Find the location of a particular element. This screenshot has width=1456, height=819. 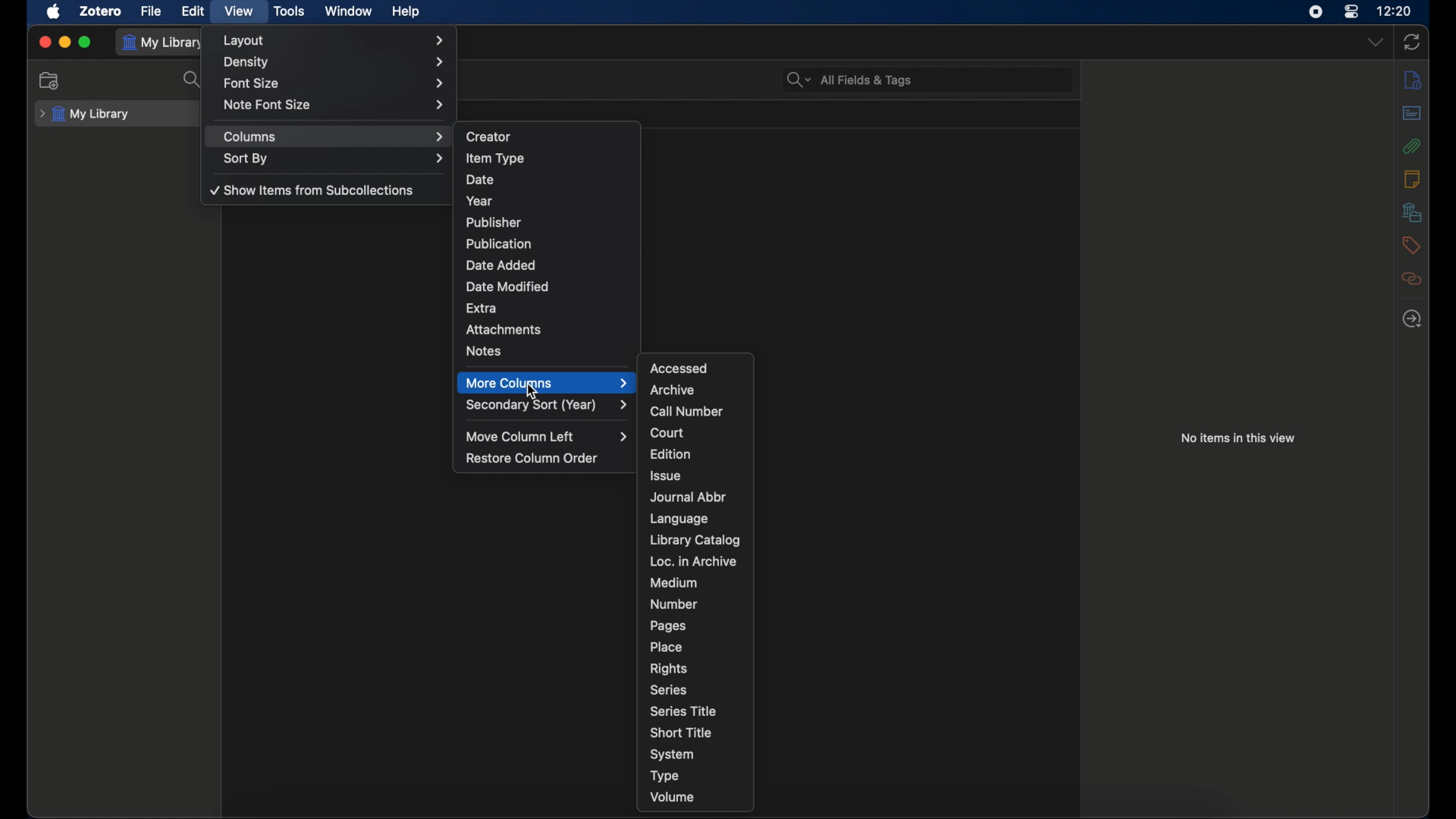

my library is located at coordinates (83, 115).